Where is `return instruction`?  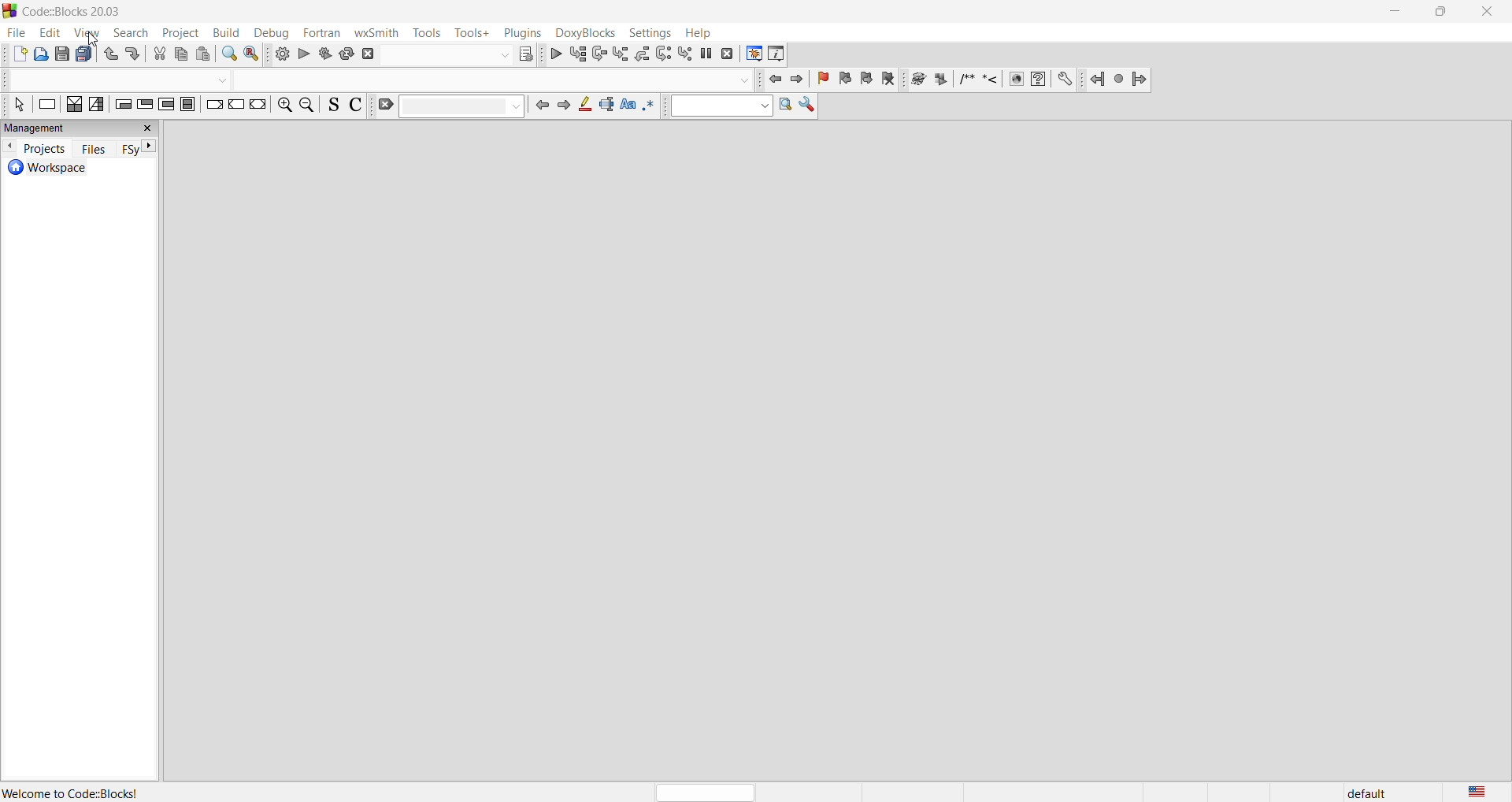 return instruction is located at coordinates (258, 106).